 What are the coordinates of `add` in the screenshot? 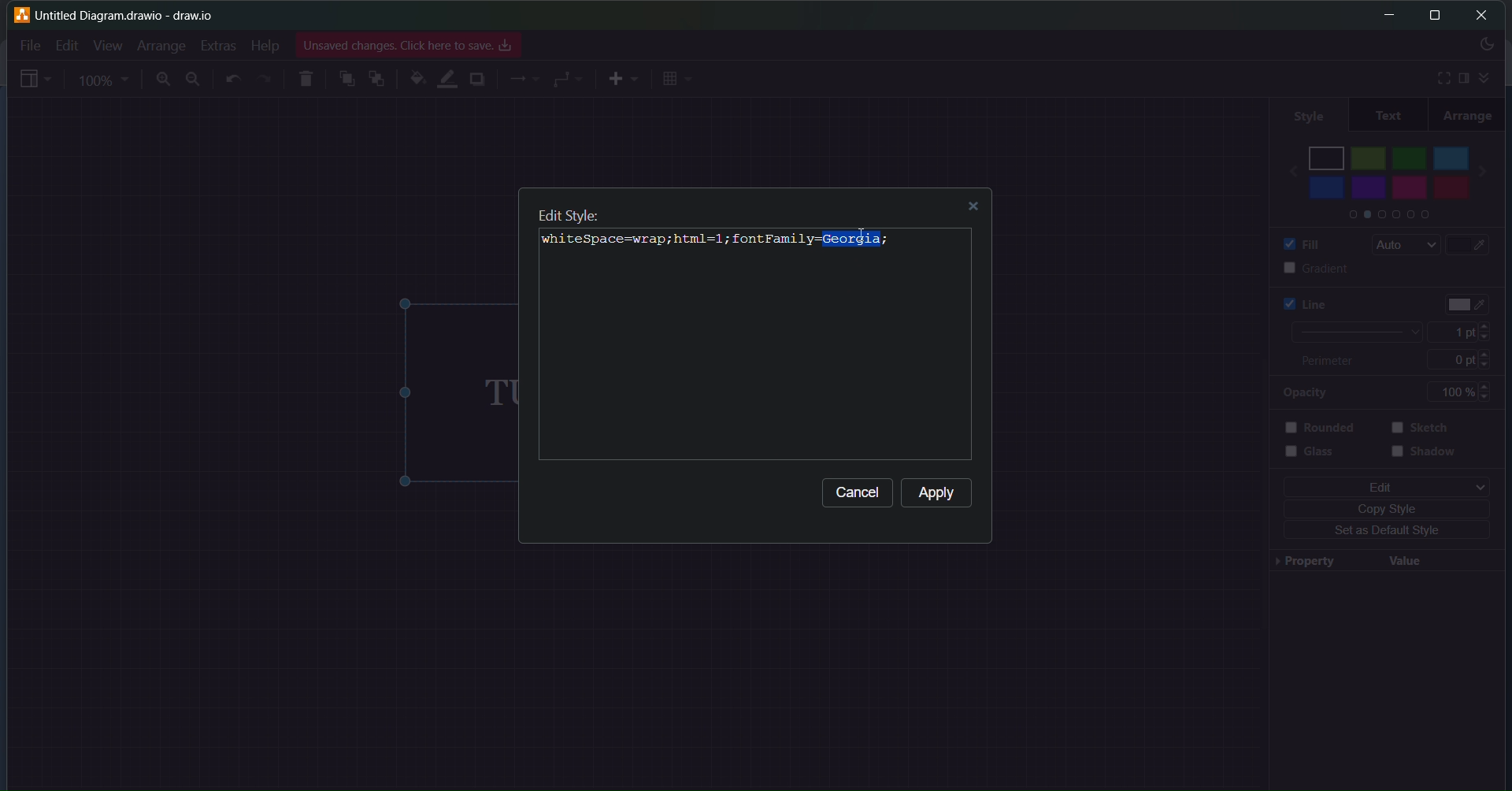 It's located at (622, 79).